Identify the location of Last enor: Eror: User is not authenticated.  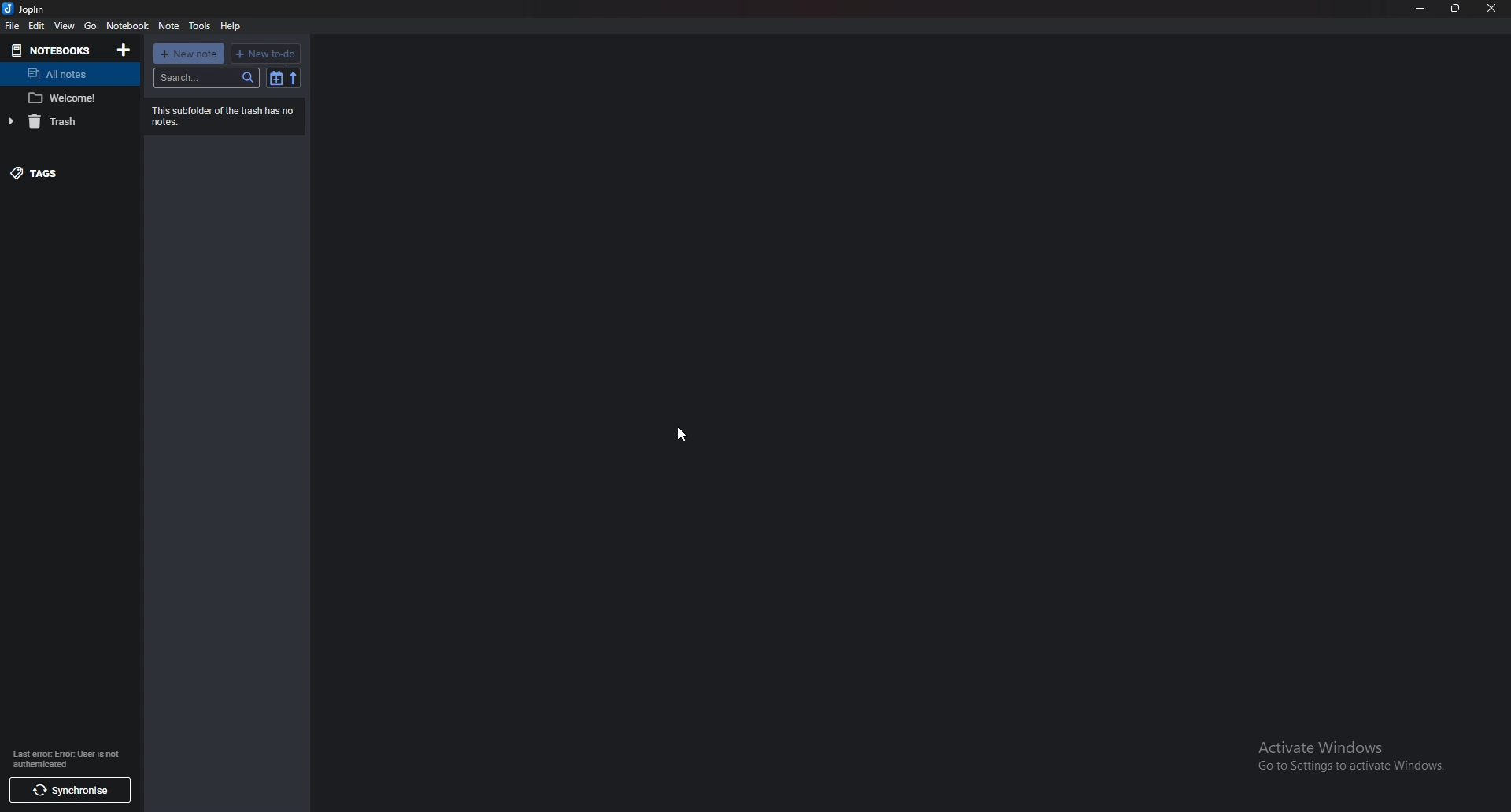
(74, 758).